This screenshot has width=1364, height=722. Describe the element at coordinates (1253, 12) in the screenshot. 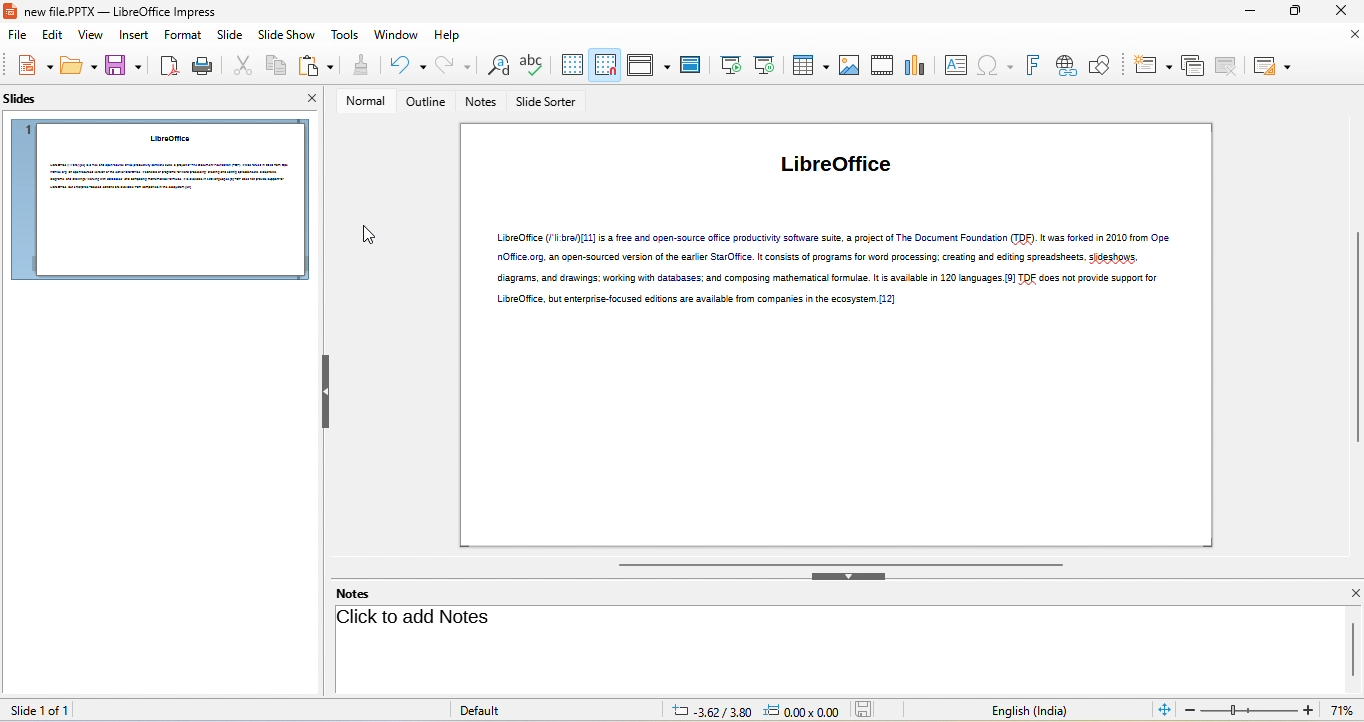

I see `minimize` at that location.